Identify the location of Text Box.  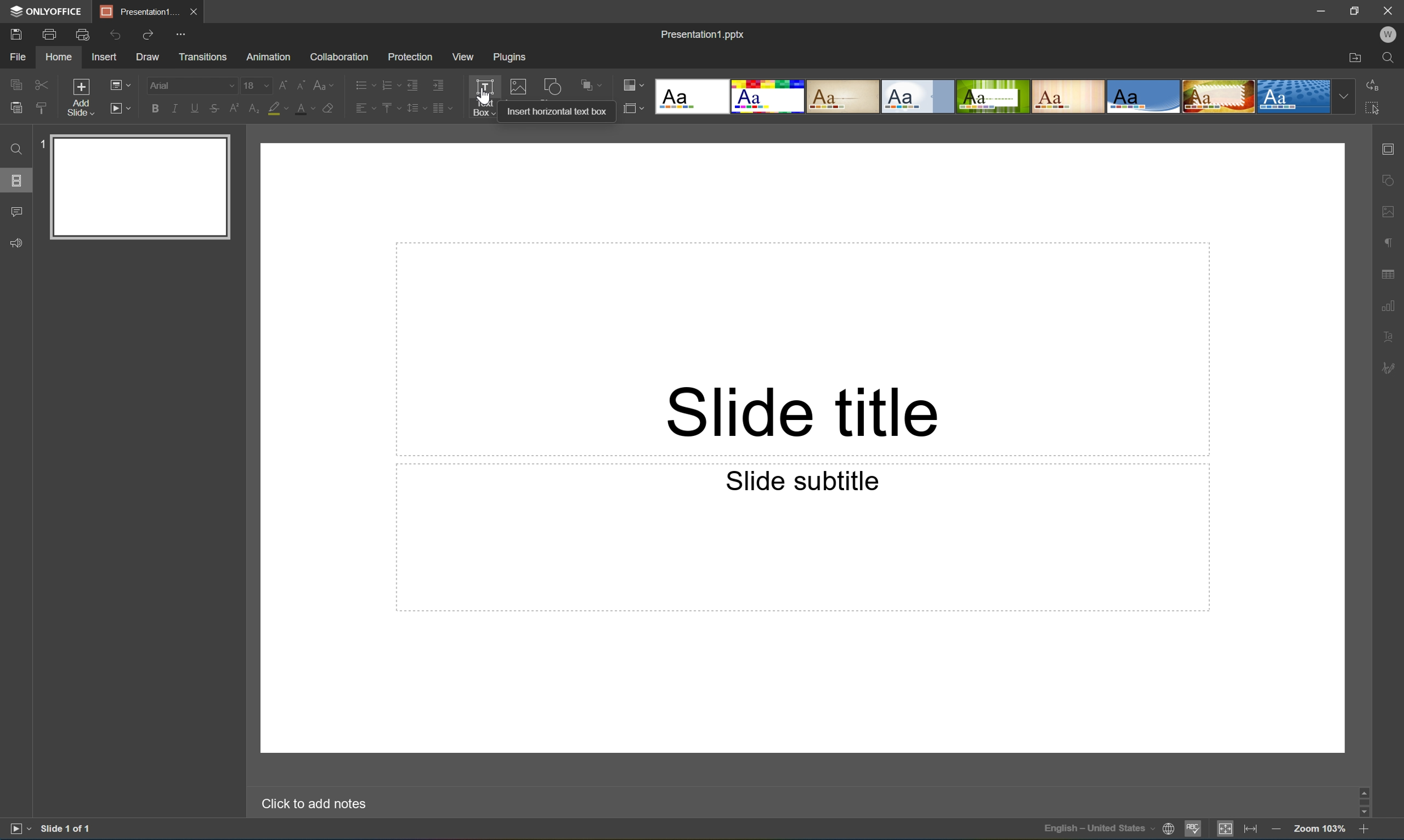
(483, 97).